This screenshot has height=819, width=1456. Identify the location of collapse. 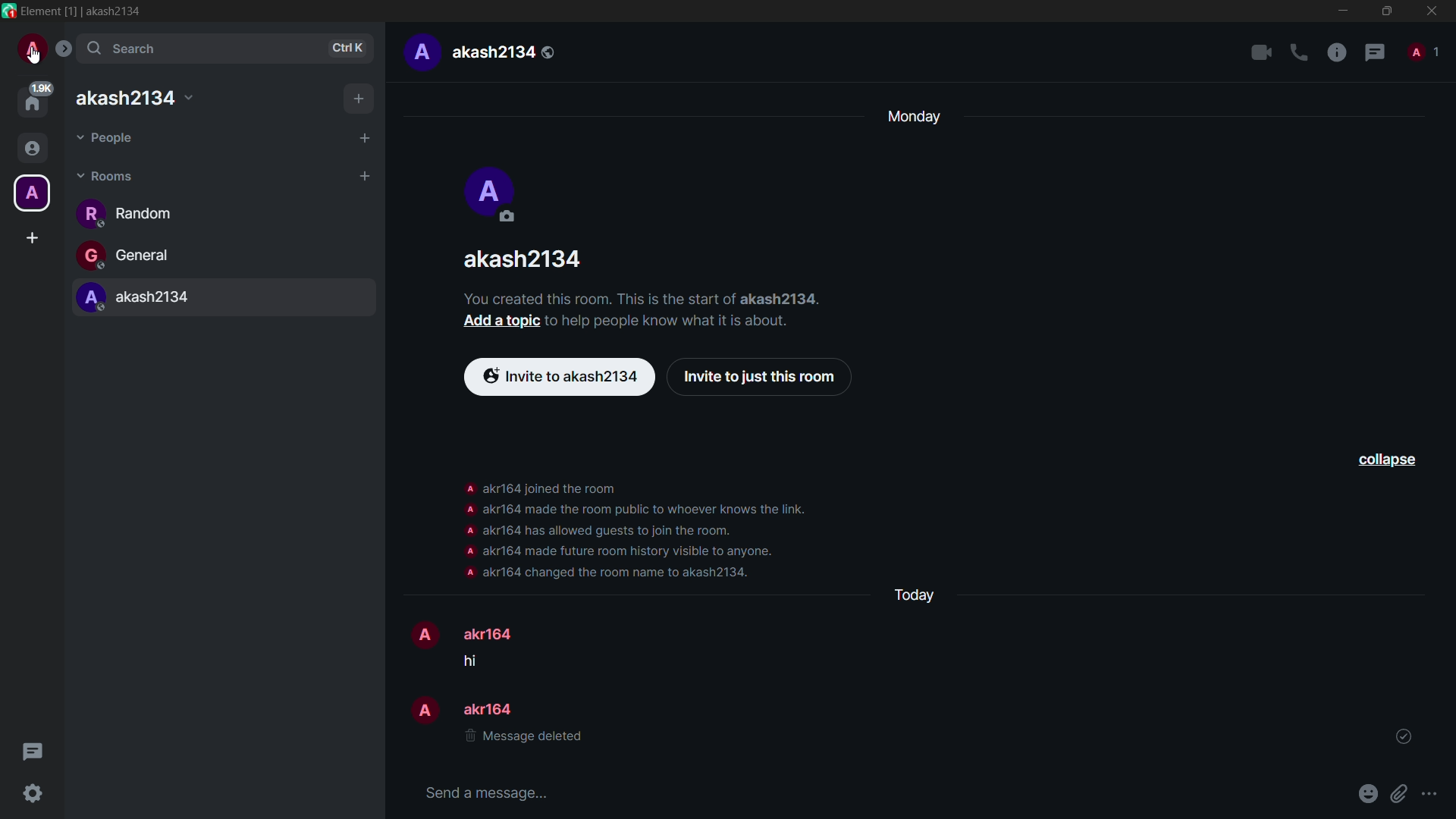
(1385, 460).